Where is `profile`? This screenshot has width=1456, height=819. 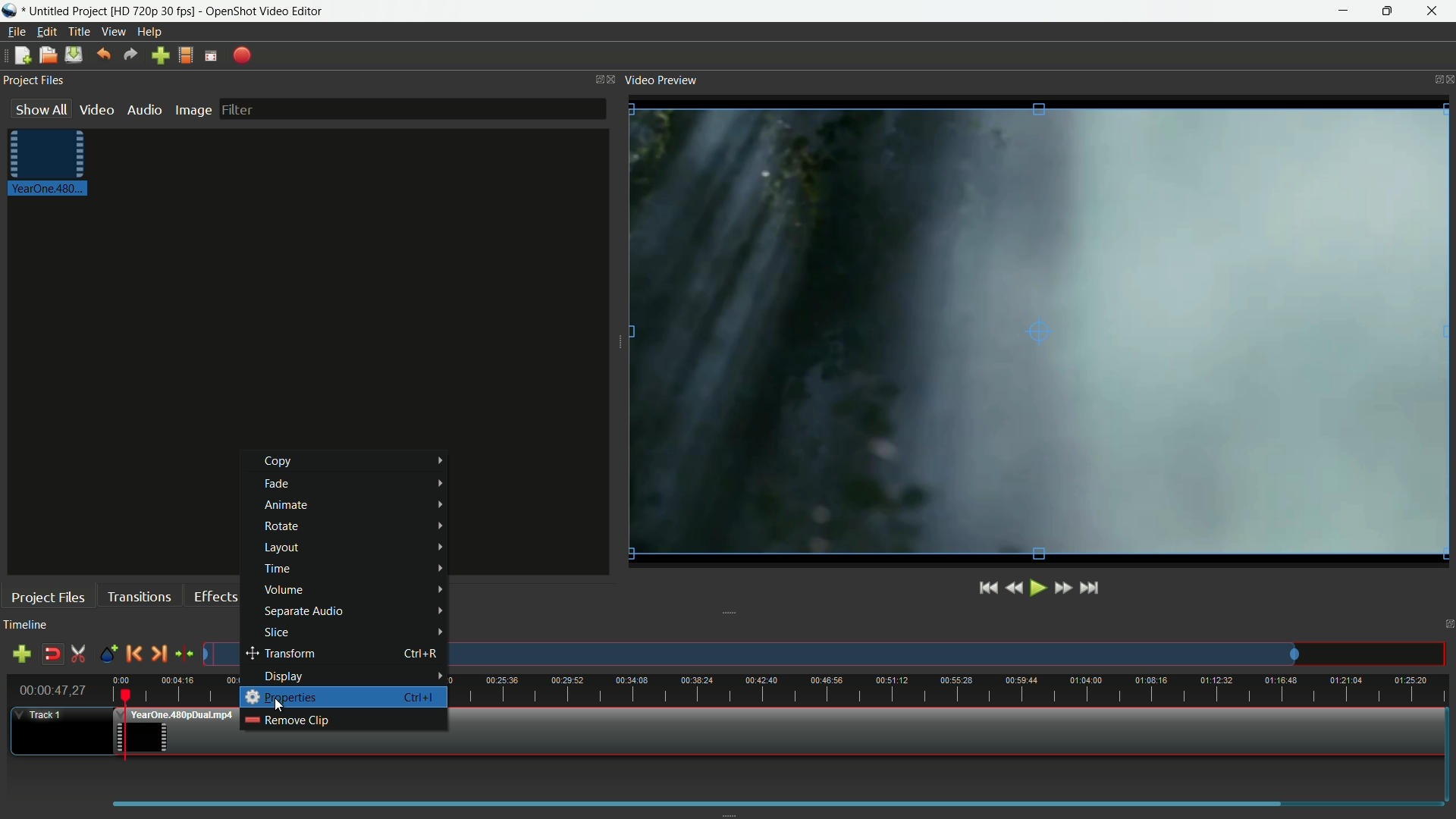
profile is located at coordinates (152, 11).